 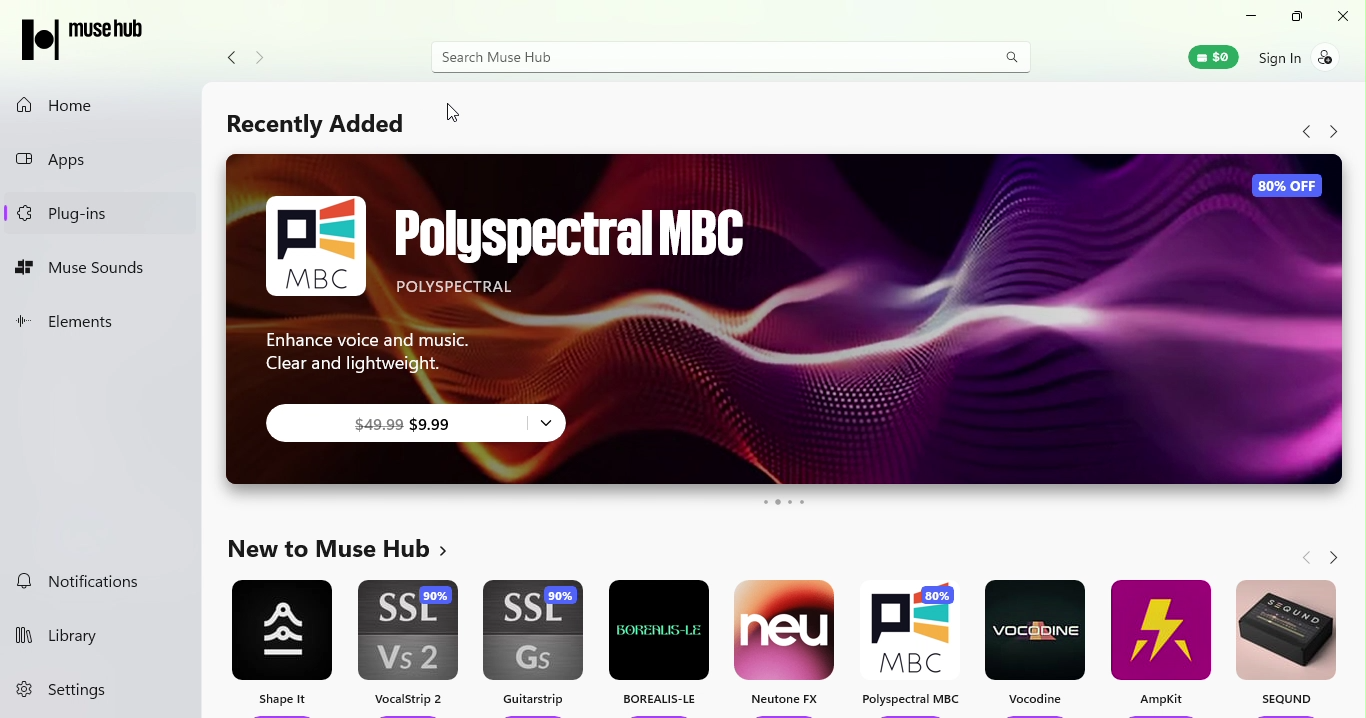 I want to click on Maximize, so click(x=1290, y=17).